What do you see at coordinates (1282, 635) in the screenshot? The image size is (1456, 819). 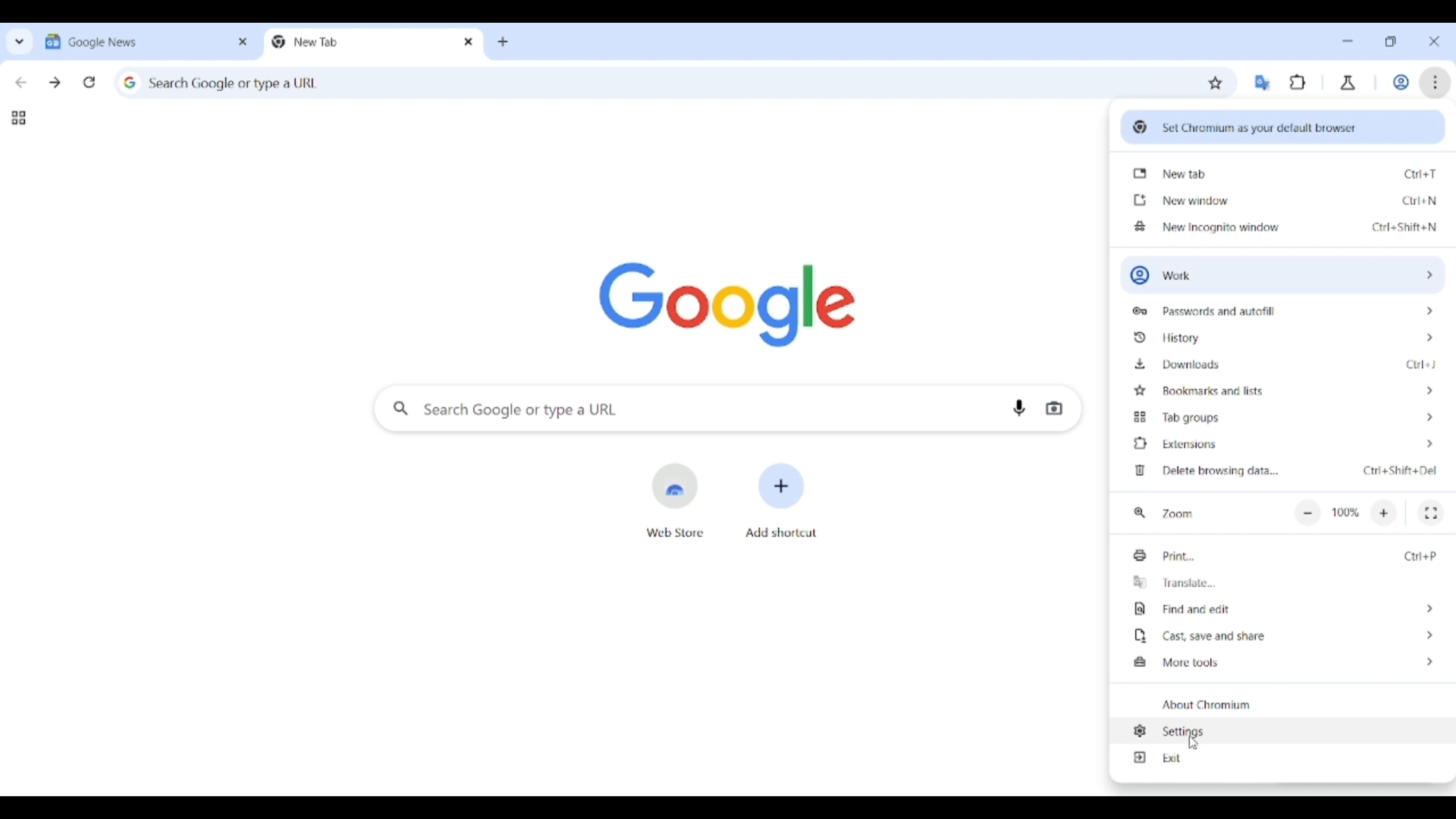 I see `Cast, save and share options` at bounding box center [1282, 635].